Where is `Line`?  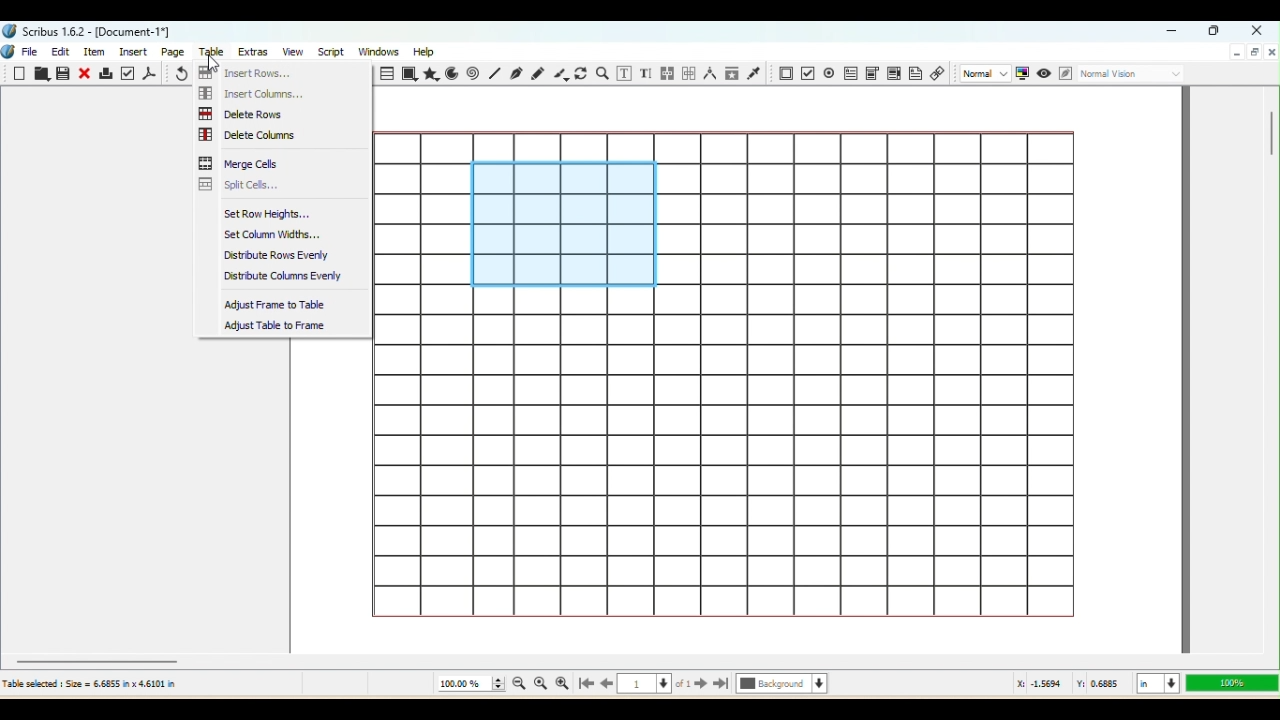
Line is located at coordinates (494, 74).